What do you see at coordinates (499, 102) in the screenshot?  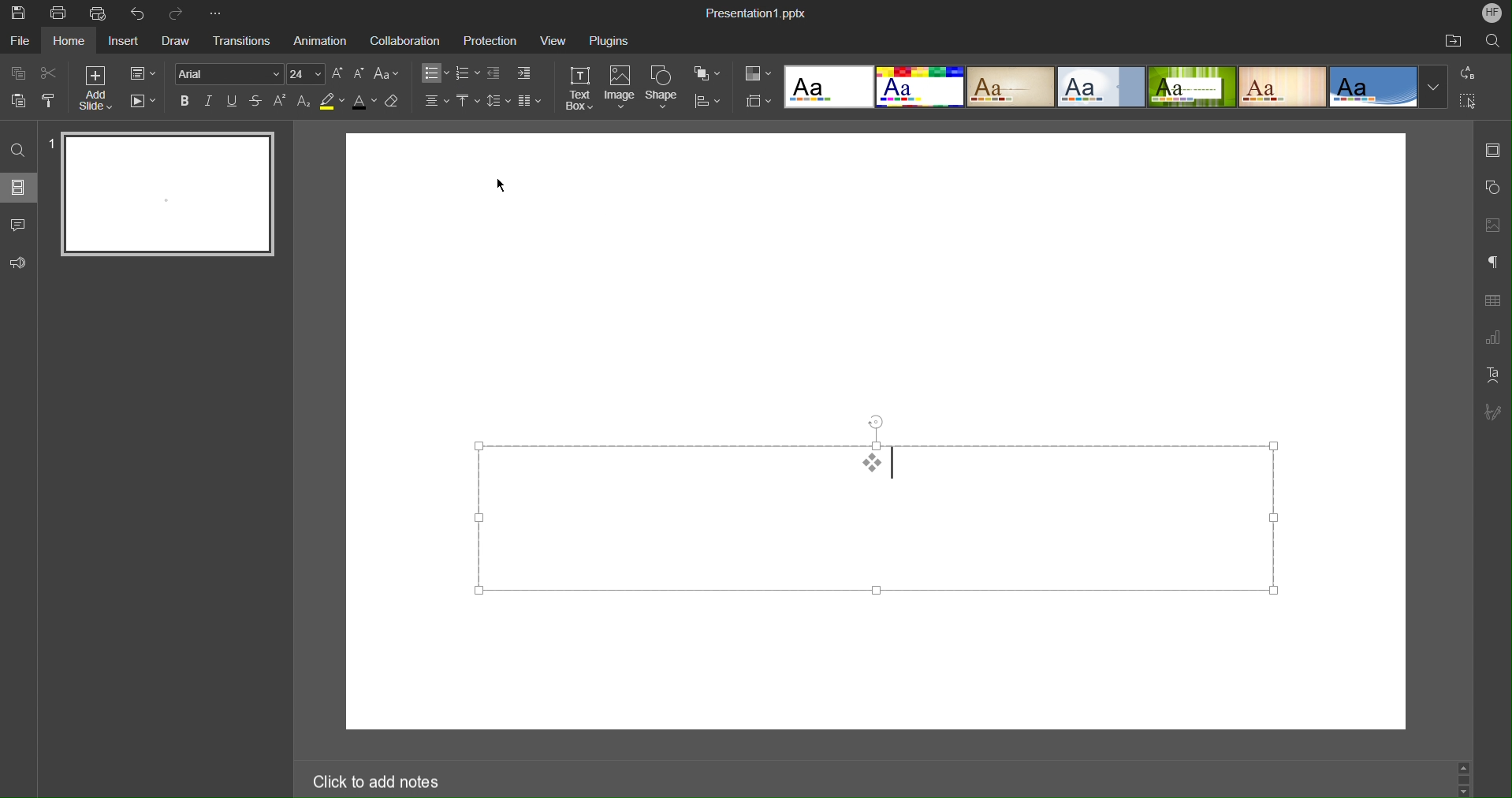 I see `Line Spacing` at bounding box center [499, 102].